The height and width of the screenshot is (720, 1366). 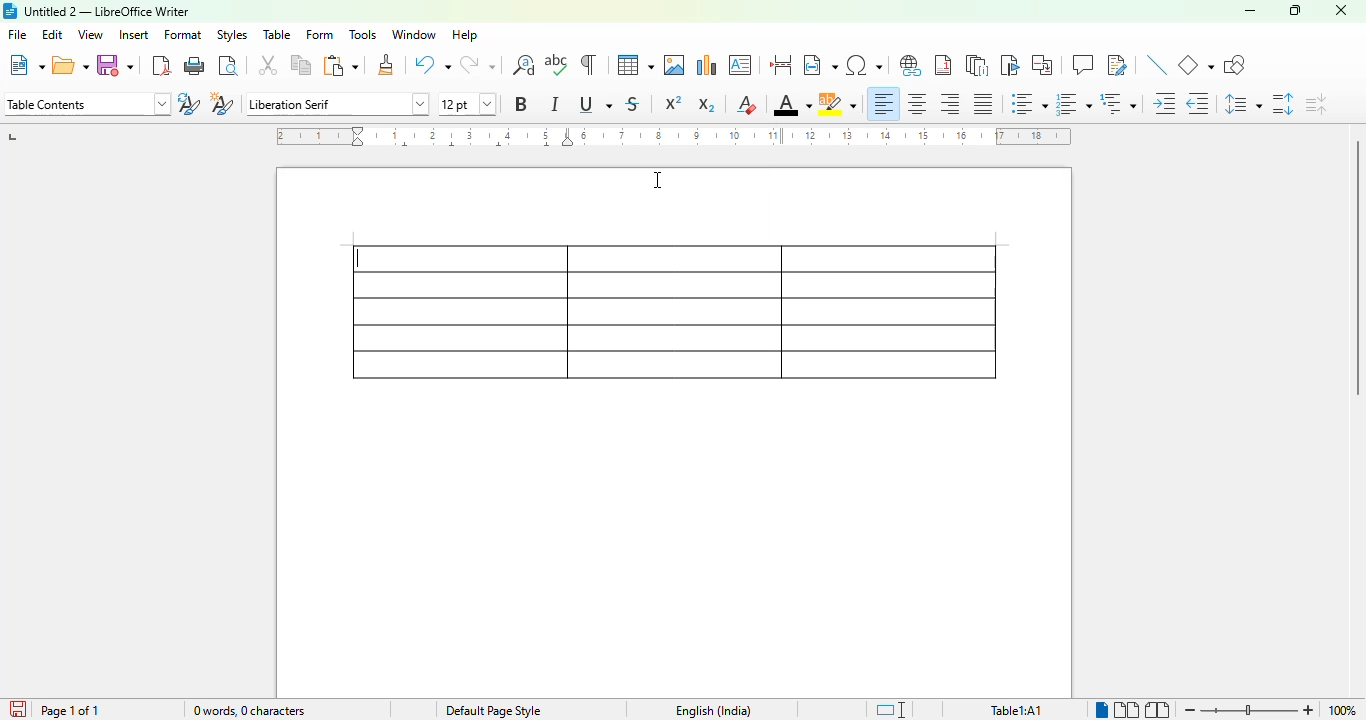 I want to click on update selected style, so click(x=189, y=103).